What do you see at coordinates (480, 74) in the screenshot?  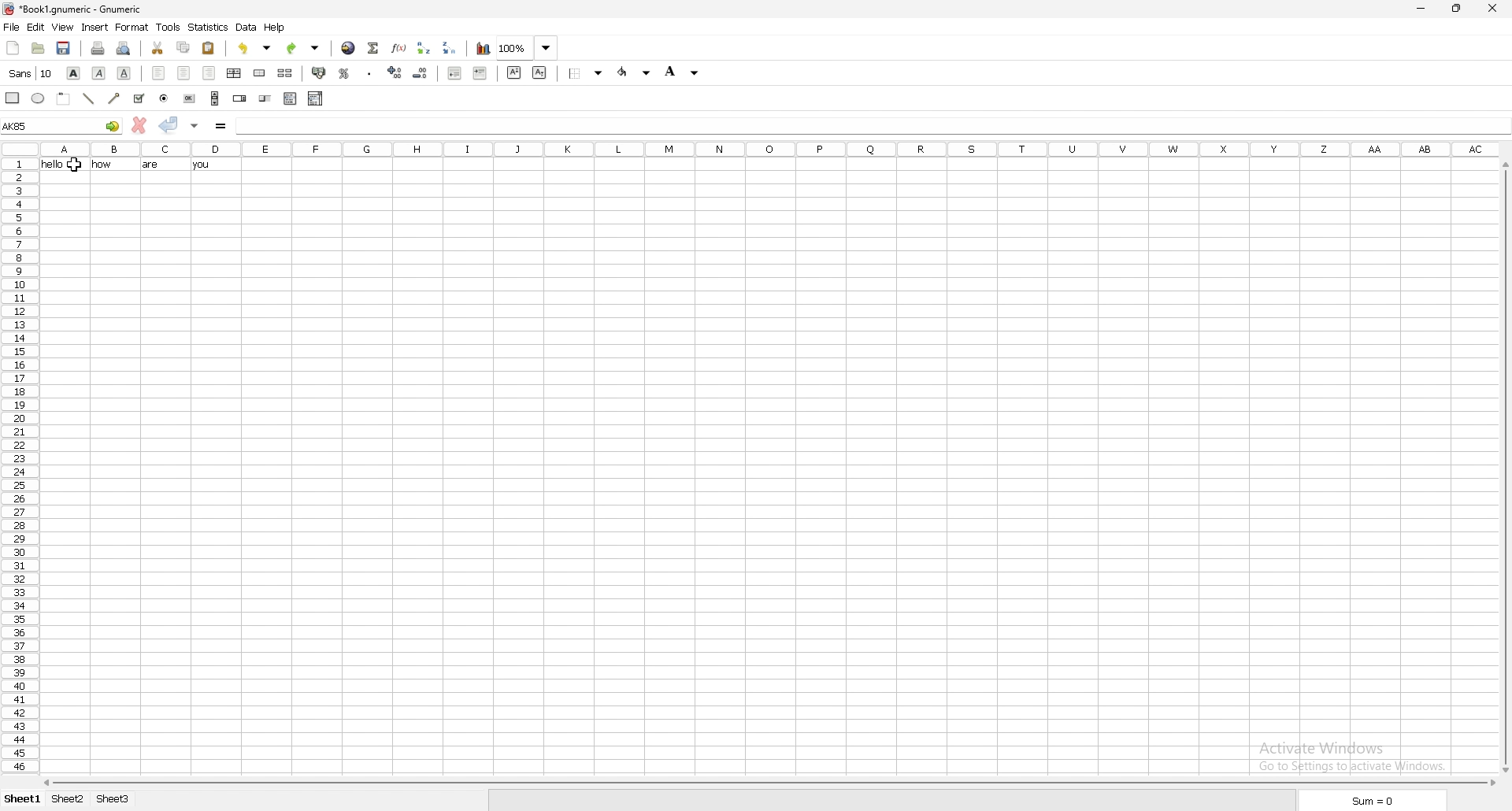 I see `increase indent` at bounding box center [480, 74].